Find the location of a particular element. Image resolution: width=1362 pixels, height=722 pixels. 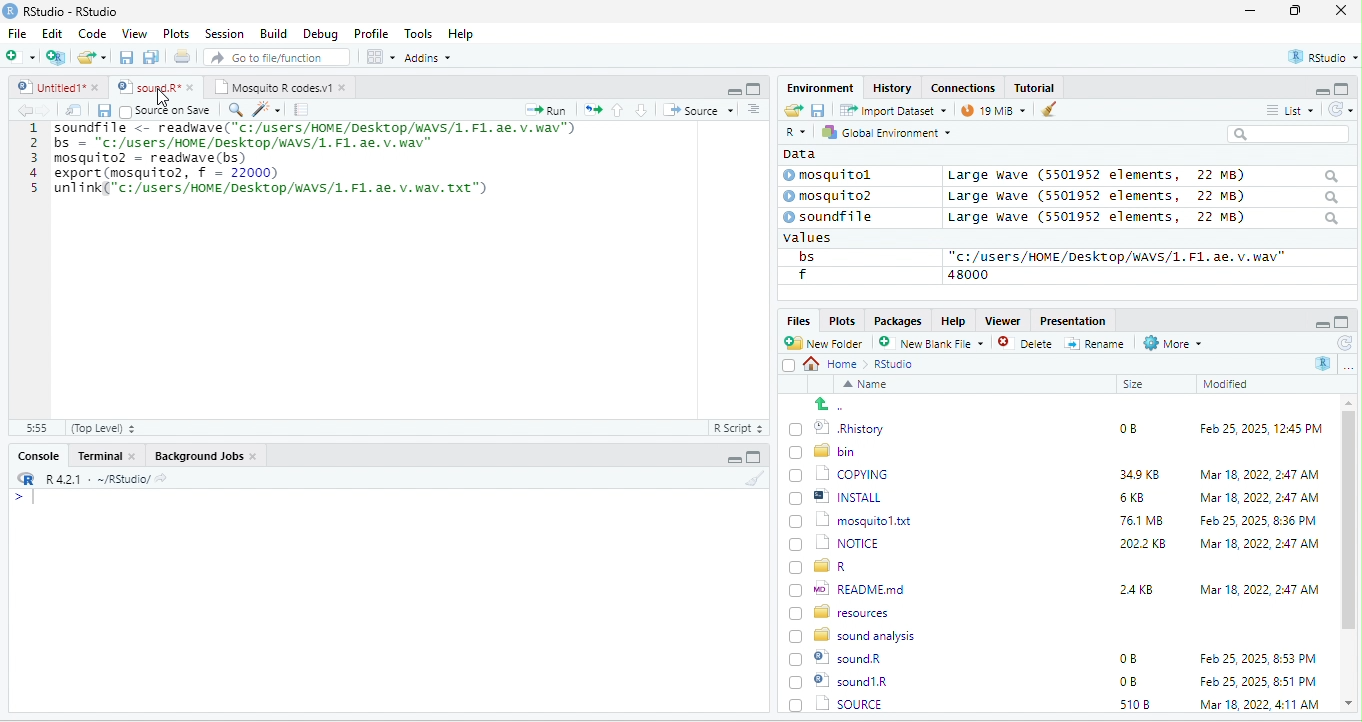

values is located at coordinates (818, 238).